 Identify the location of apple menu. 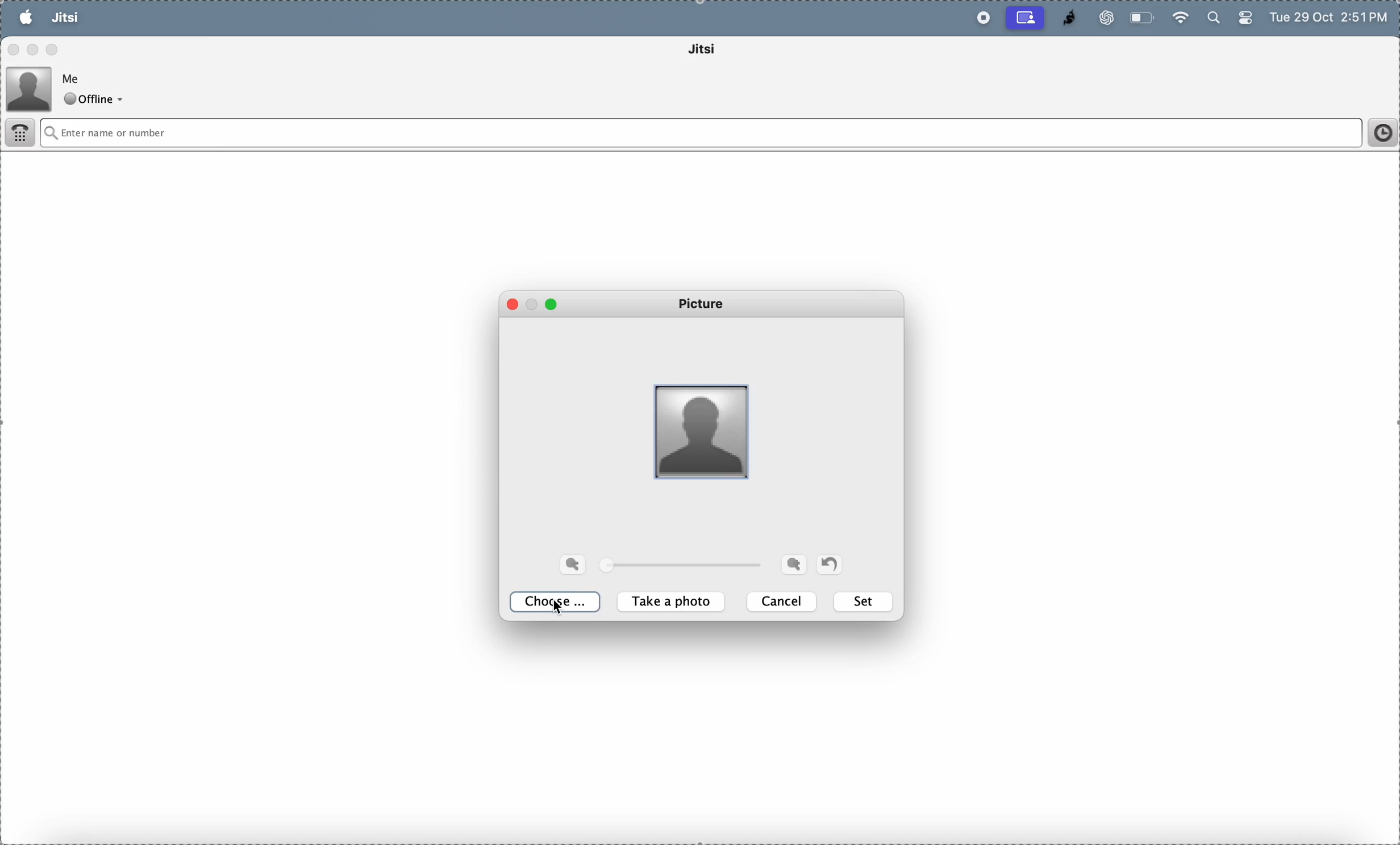
(26, 17).